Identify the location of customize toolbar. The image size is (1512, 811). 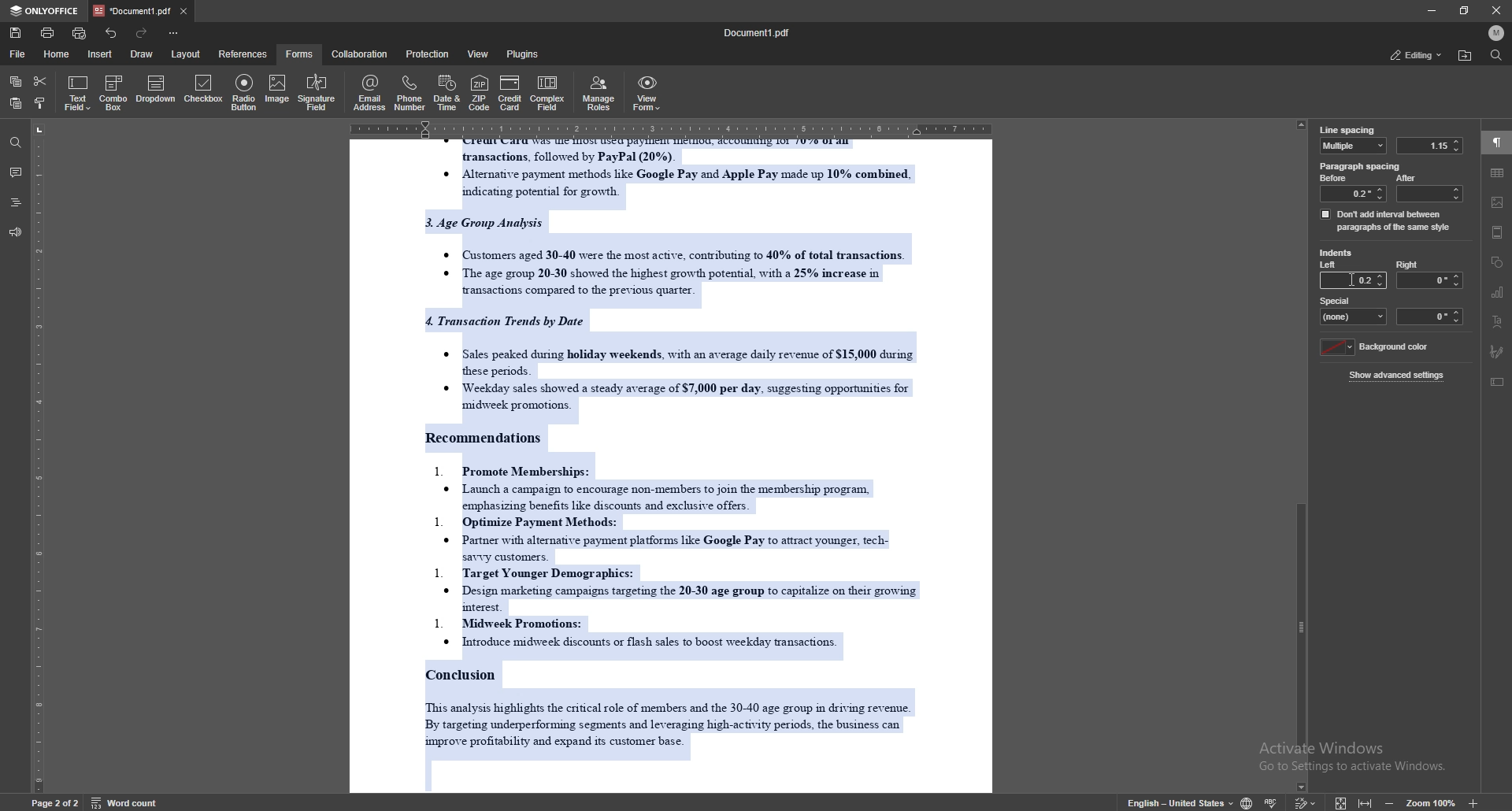
(172, 32).